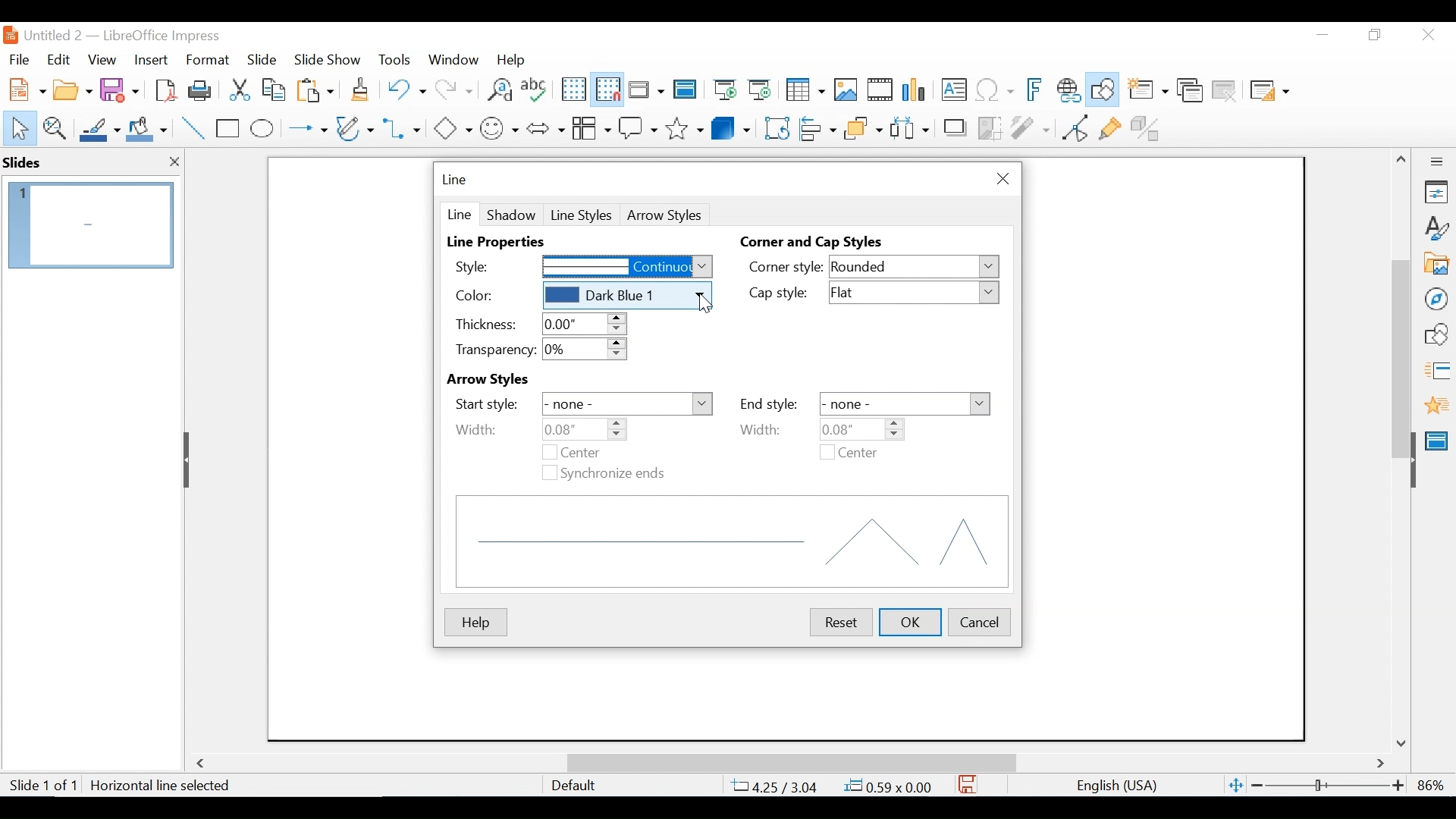 This screenshot has width=1456, height=819. I want to click on Toggle Extrusion, so click(1149, 127).